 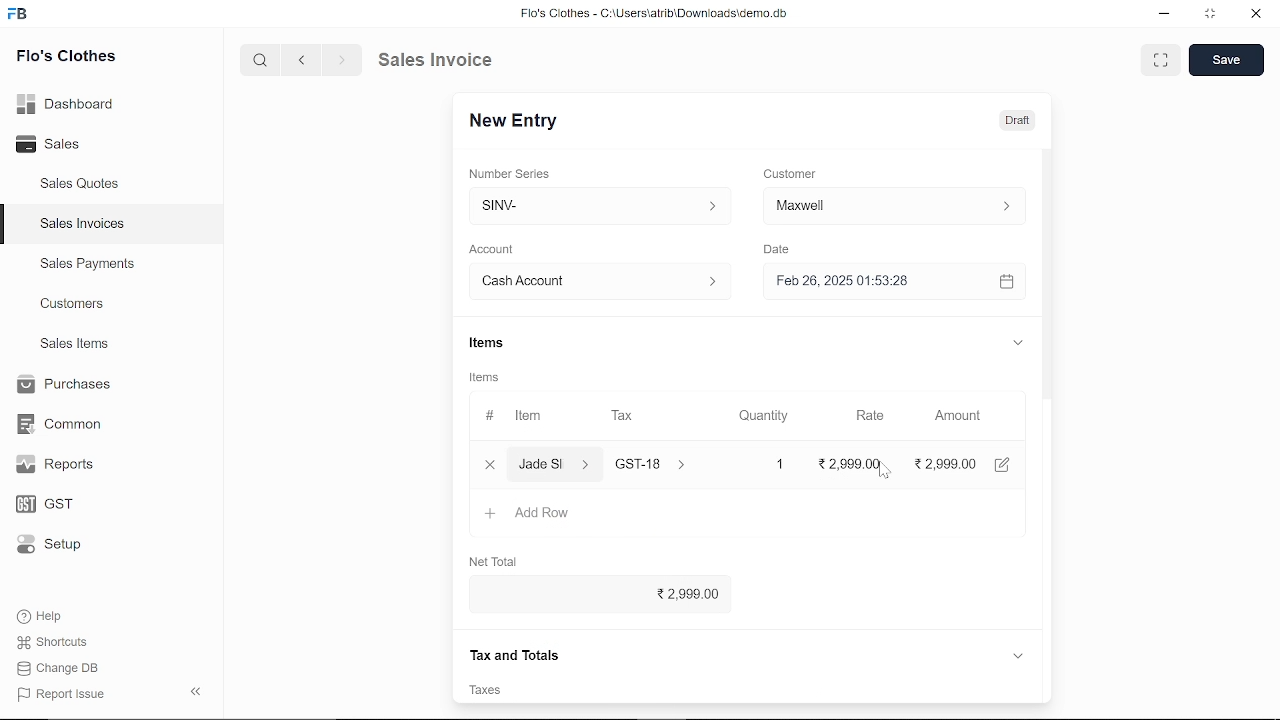 What do you see at coordinates (70, 145) in the screenshot?
I see `Sales` at bounding box center [70, 145].